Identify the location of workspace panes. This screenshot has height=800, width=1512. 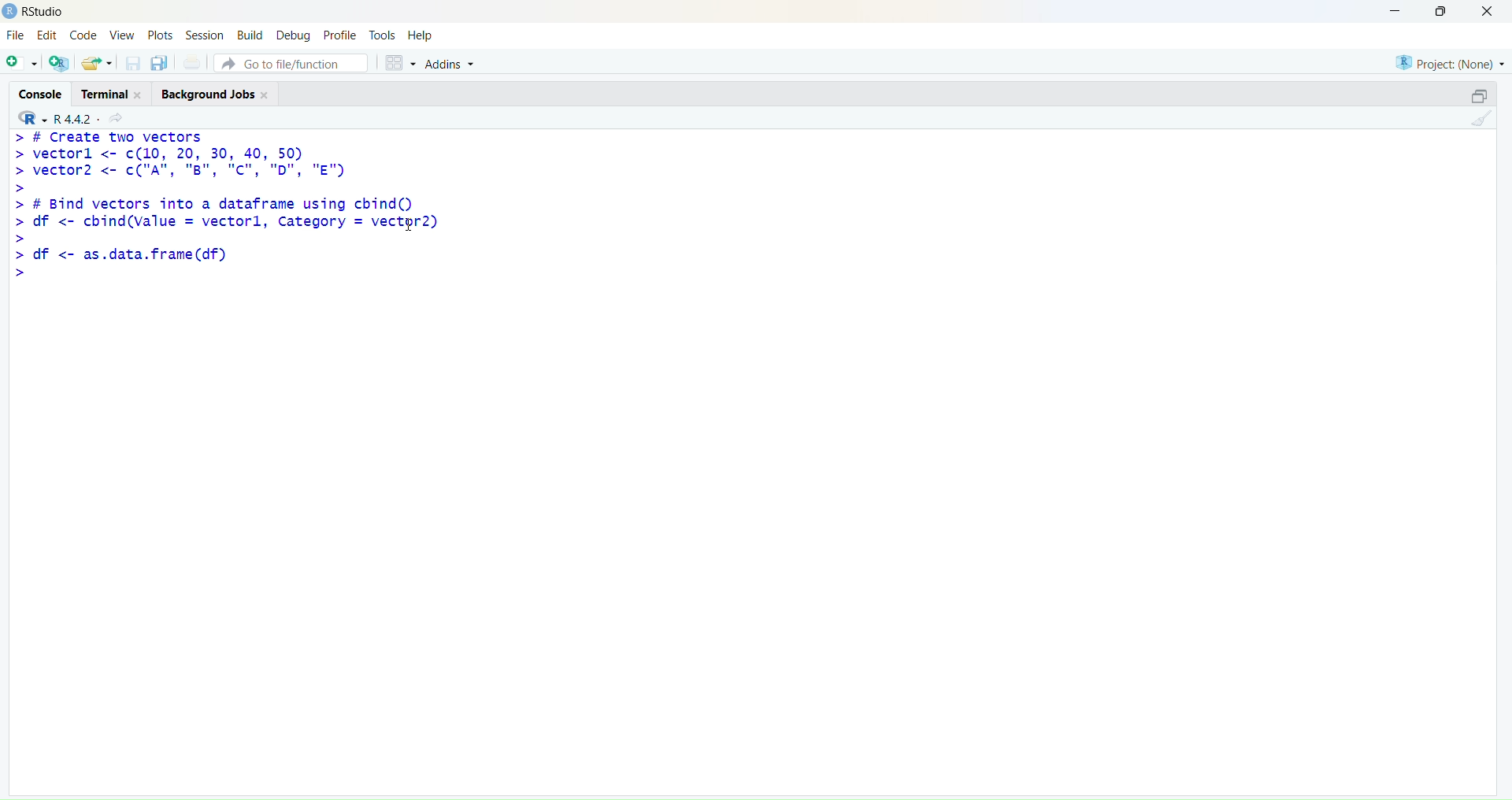
(399, 64).